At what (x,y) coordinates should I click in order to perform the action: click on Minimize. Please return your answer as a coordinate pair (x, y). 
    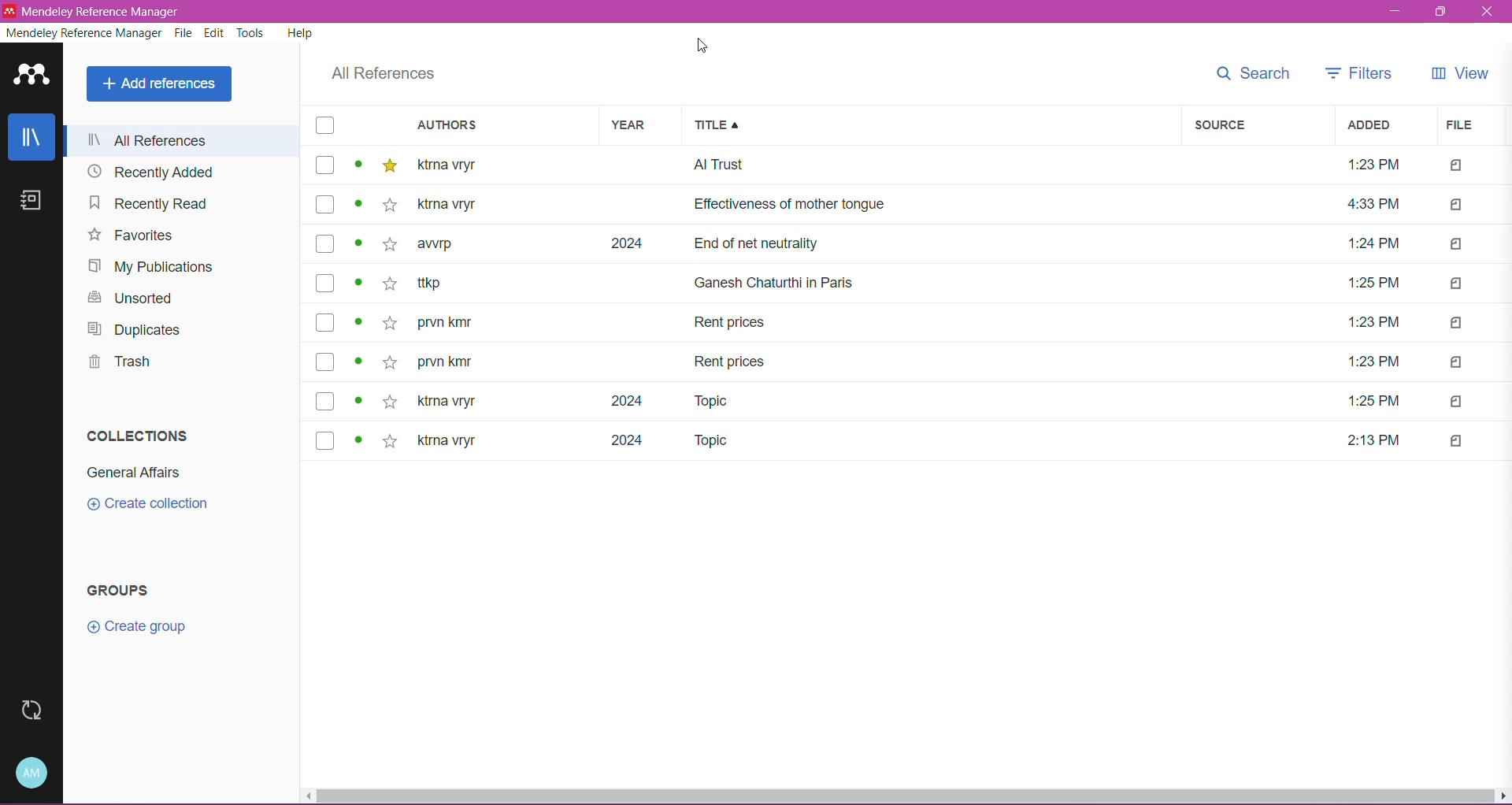
    Looking at the image, I should click on (1393, 12).